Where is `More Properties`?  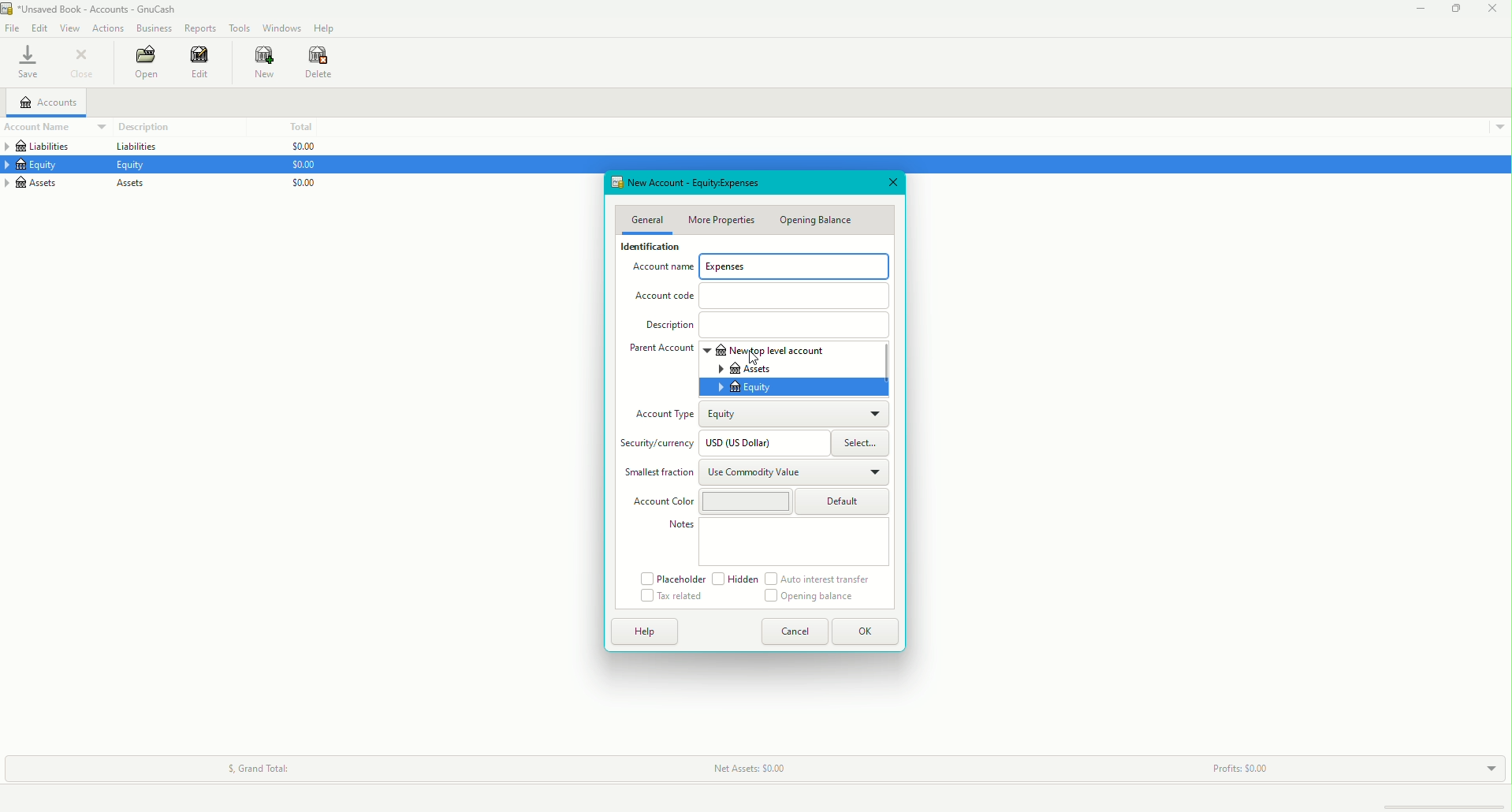 More Properties is located at coordinates (721, 219).